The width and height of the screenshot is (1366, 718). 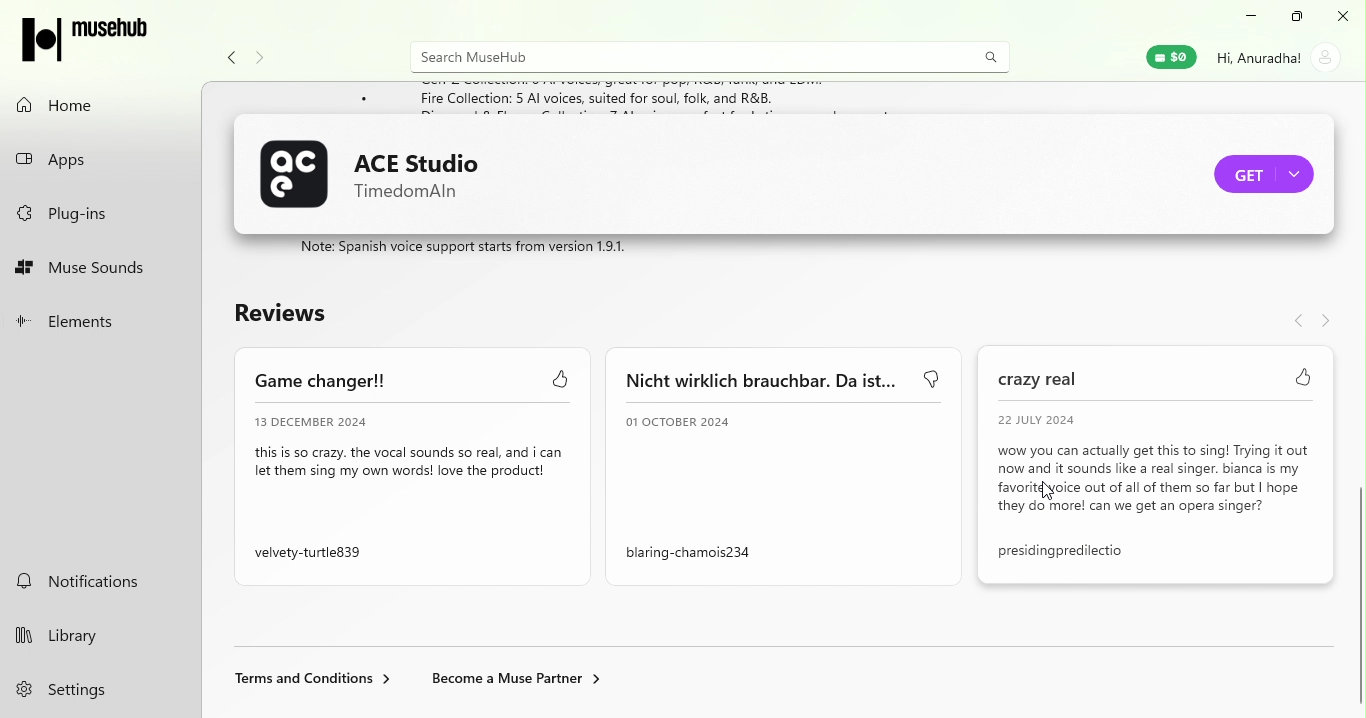 I want to click on Navigate forward, so click(x=258, y=53).